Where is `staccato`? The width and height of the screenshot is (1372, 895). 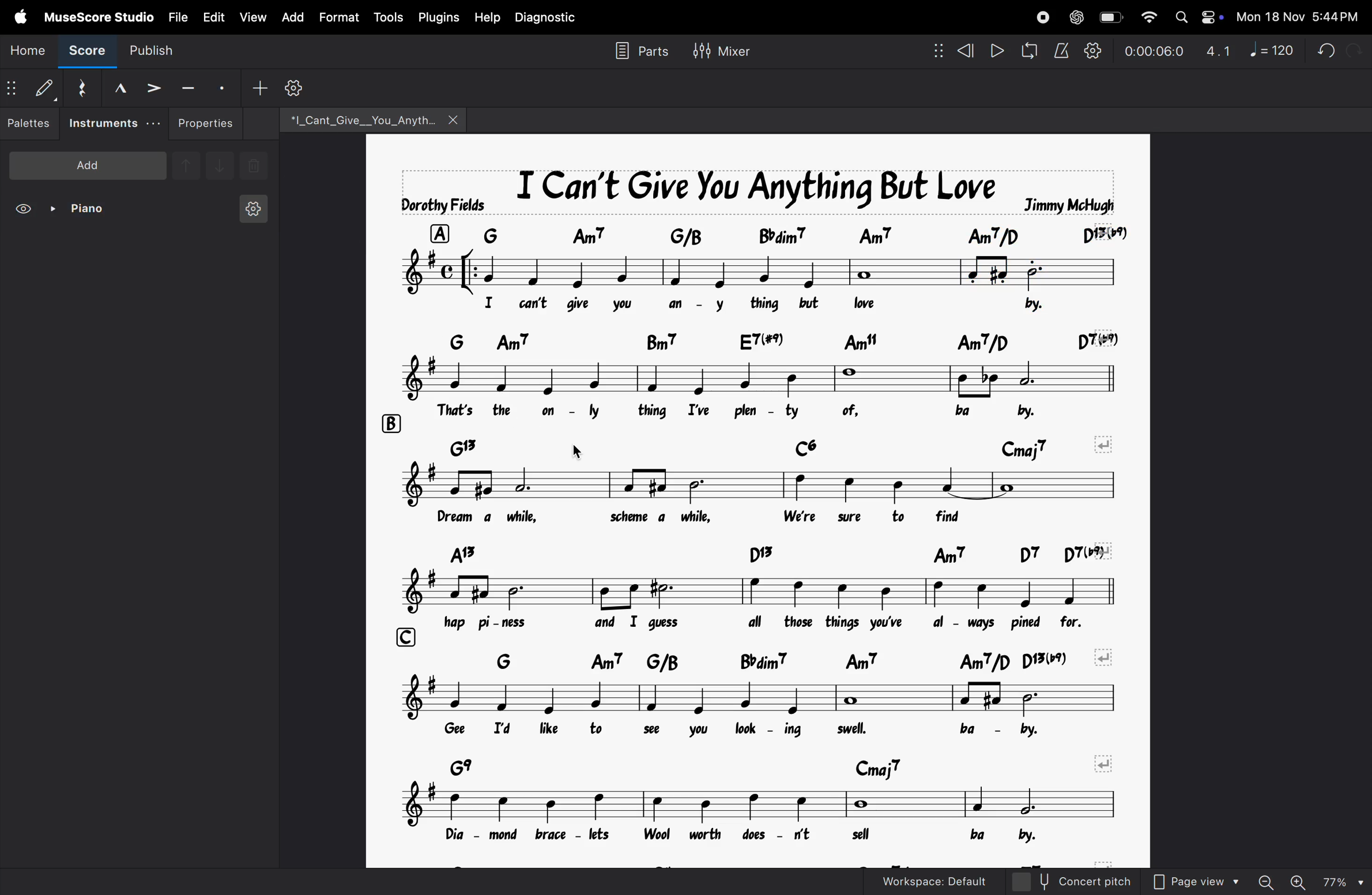 staccato is located at coordinates (223, 87).